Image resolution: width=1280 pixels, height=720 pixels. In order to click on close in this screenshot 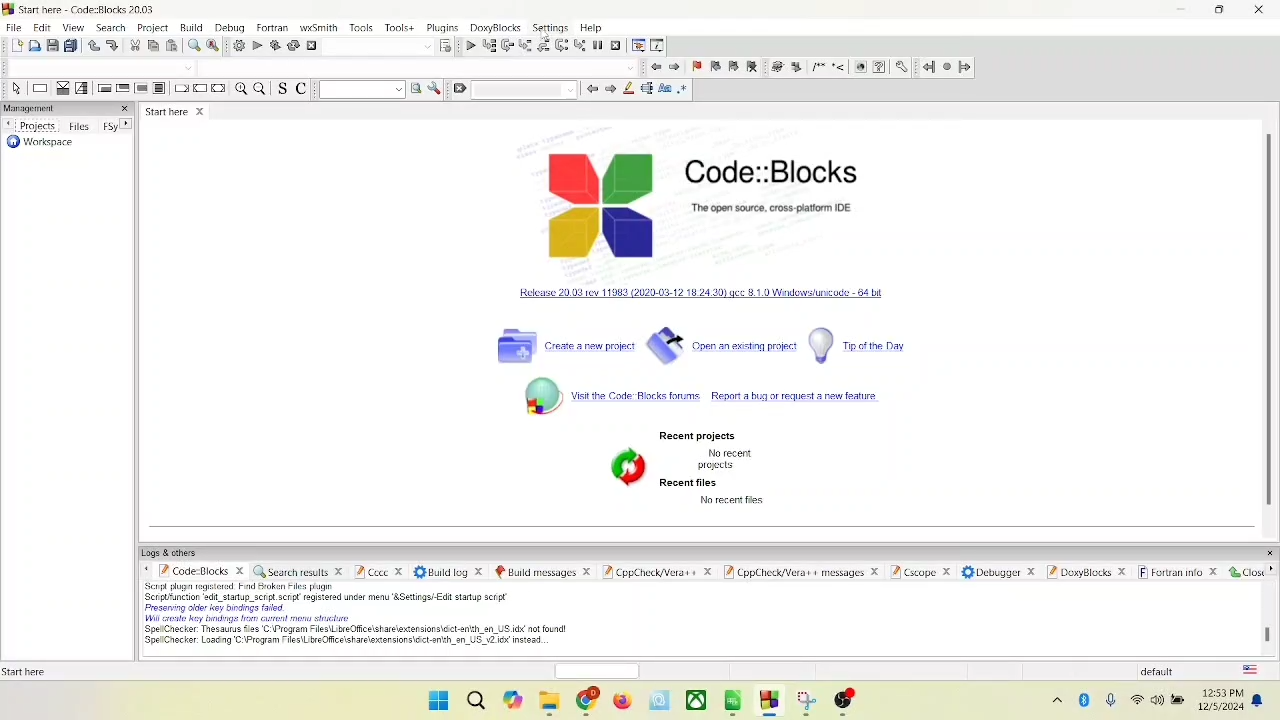, I will do `click(1262, 10)`.